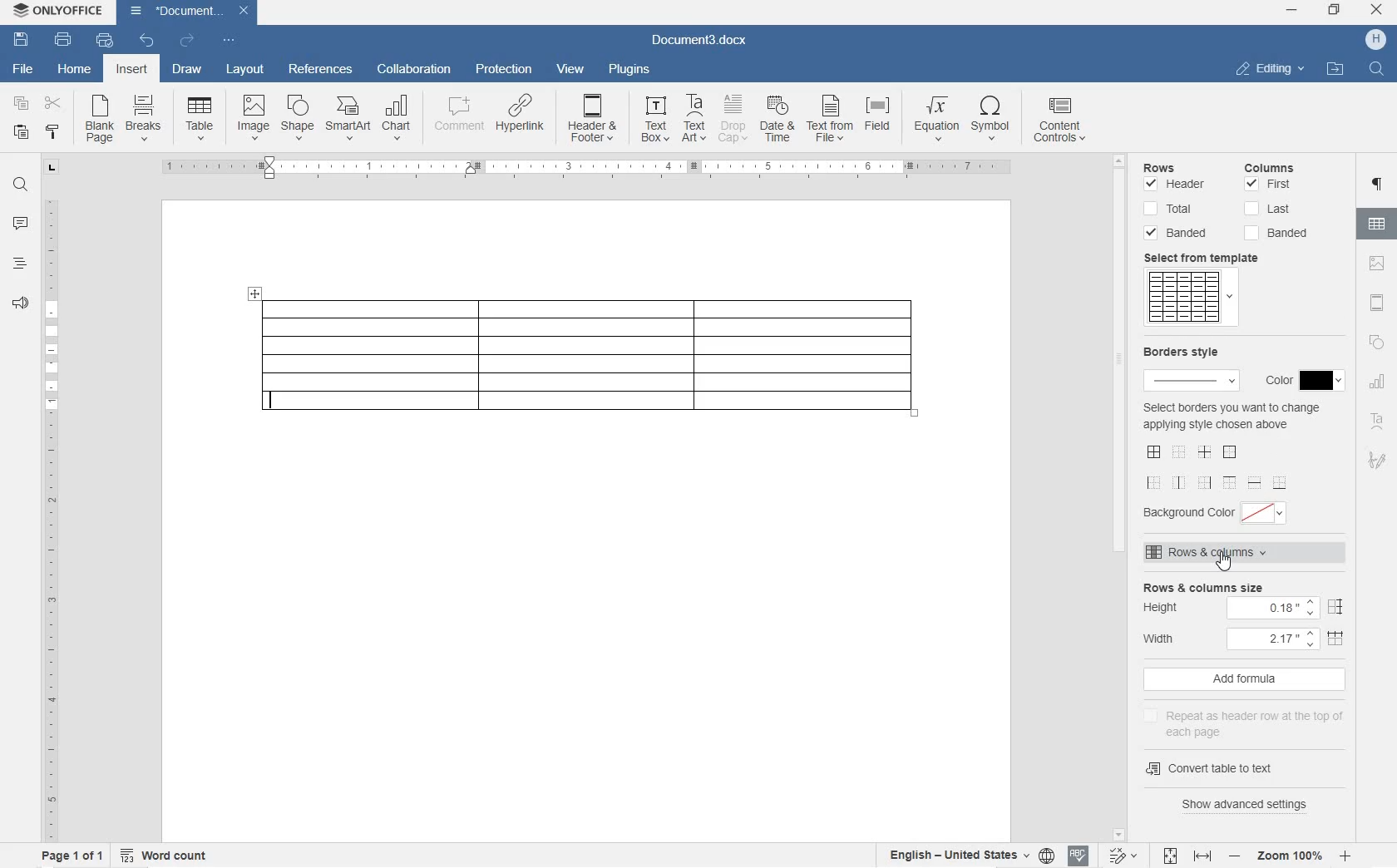 This screenshot has height=868, width=1397. I want to click on Header, so click(1176, 186).